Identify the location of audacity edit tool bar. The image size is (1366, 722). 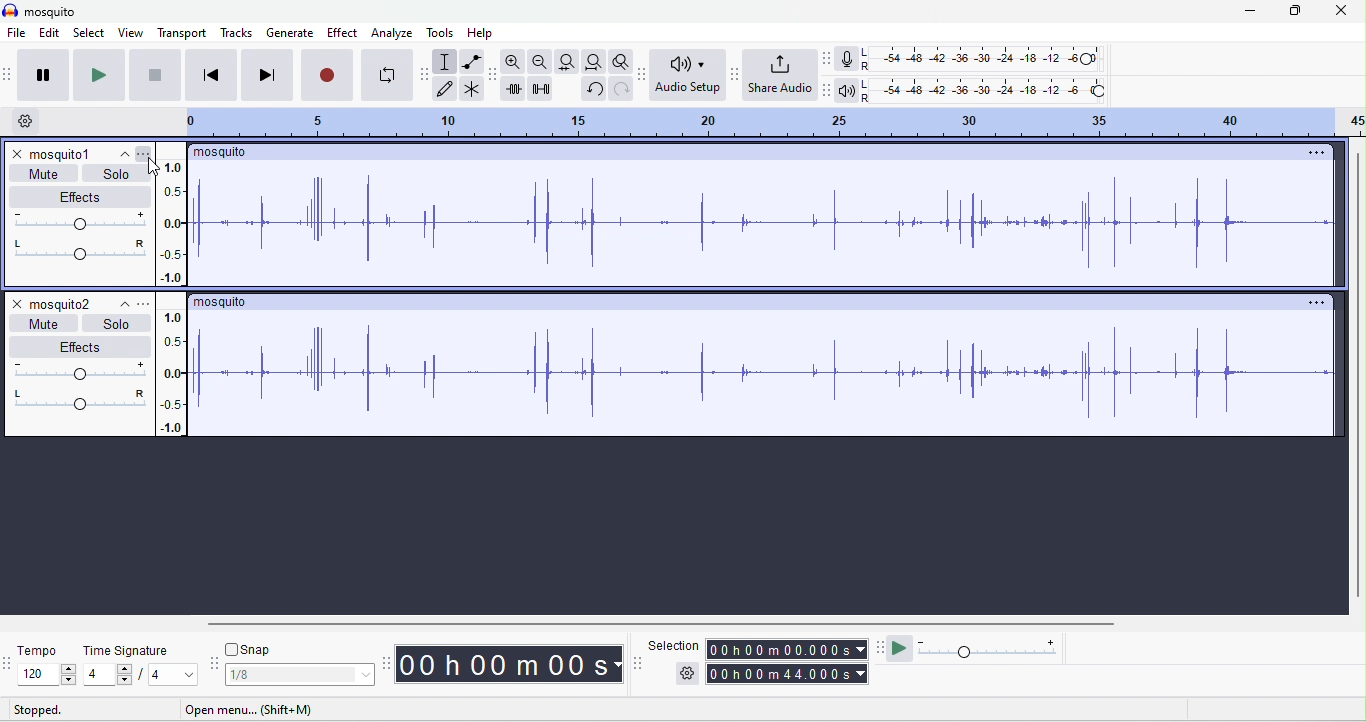
(495, 73).